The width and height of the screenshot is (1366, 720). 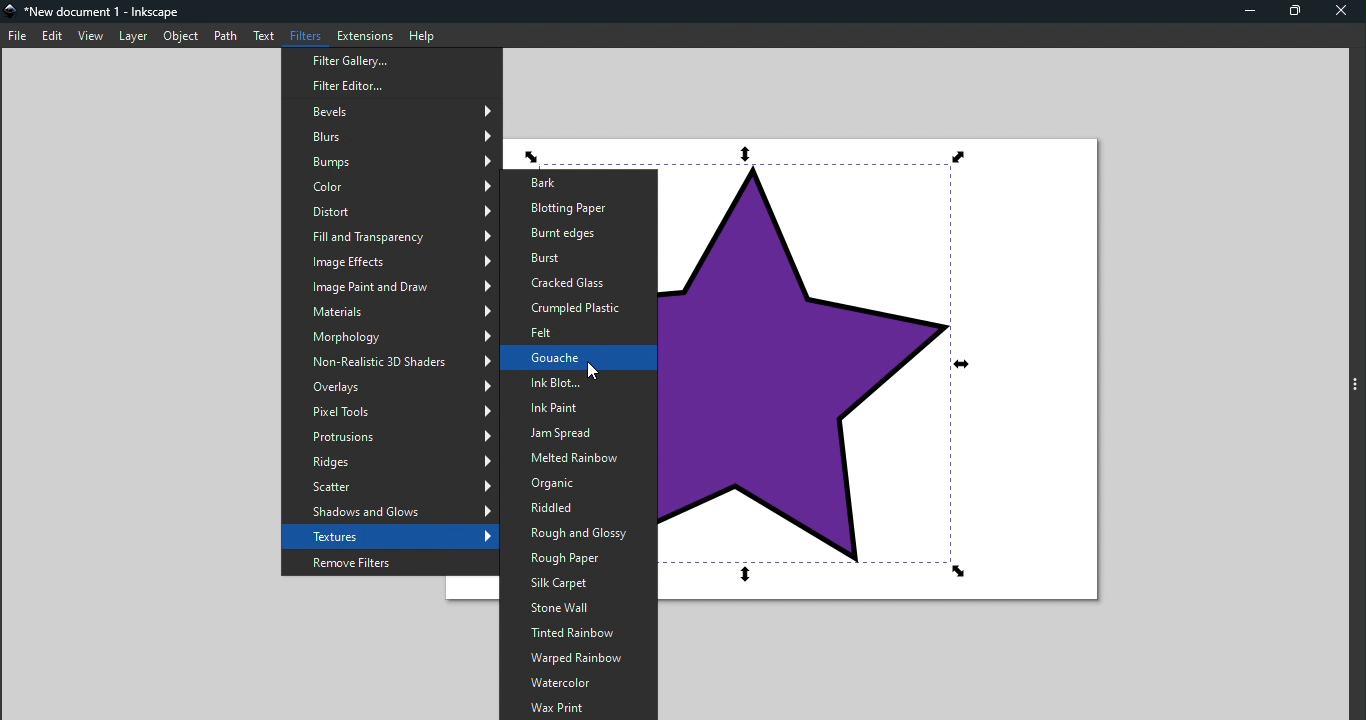 What do you see at coordinates (580, 683) in the screenshot?
I see `Watercolor` at bounding box center [580, 683].